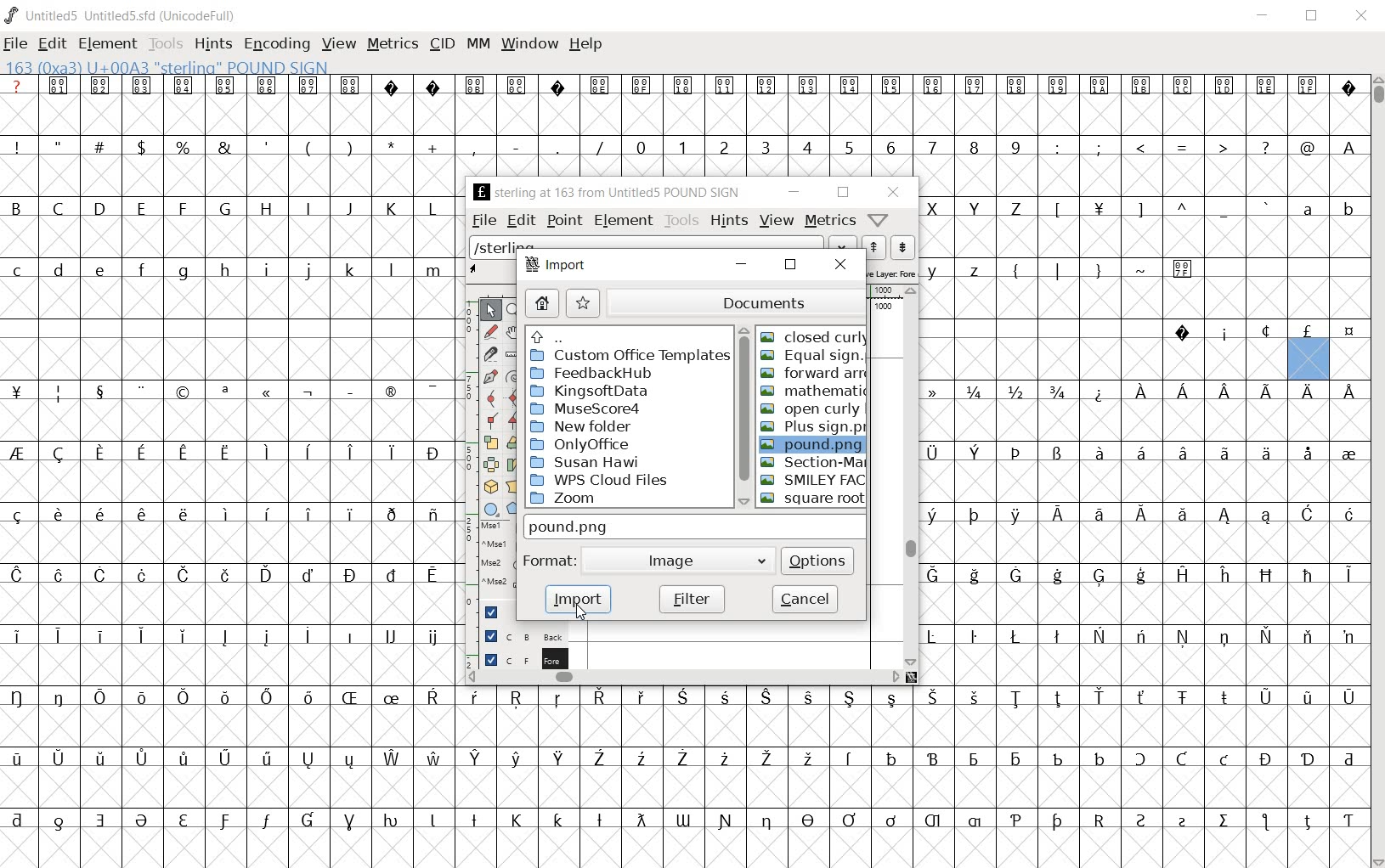  I want to click on Symbol, so click(144, 822).